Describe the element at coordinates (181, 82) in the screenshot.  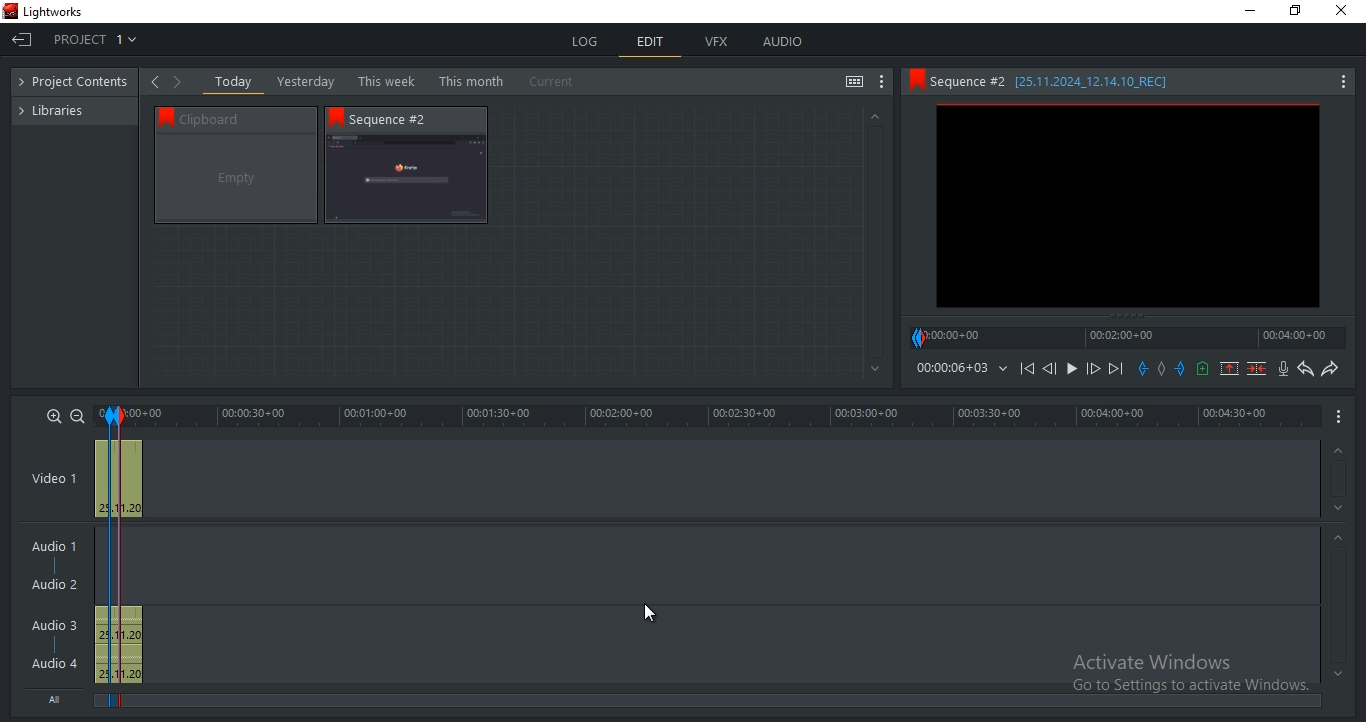
I see `Navigate right options` at that location.